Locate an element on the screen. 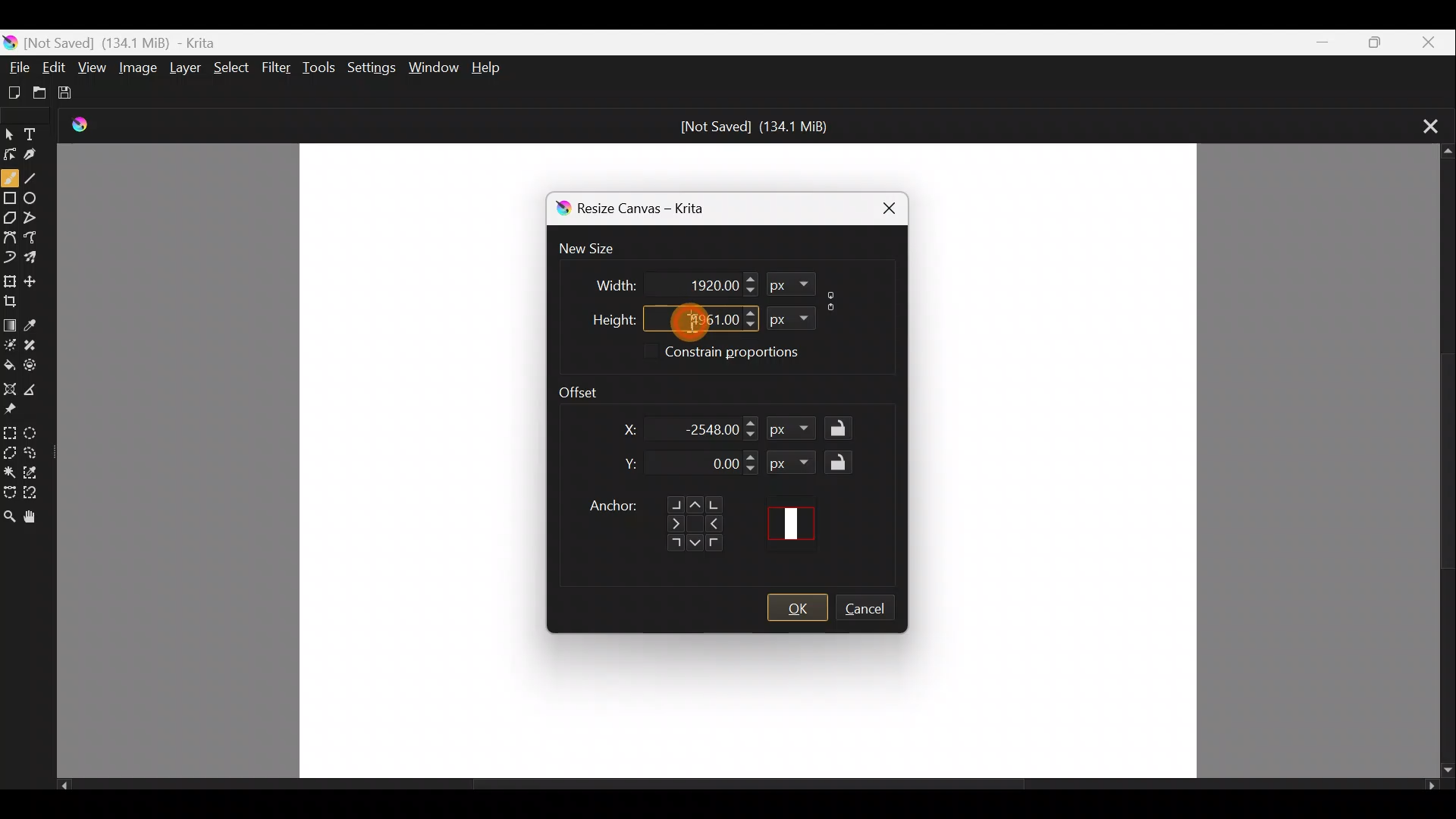 Image resolution: width=1456 pixels, height=819 pixels. Increase width is located at coordinates (750, 278).